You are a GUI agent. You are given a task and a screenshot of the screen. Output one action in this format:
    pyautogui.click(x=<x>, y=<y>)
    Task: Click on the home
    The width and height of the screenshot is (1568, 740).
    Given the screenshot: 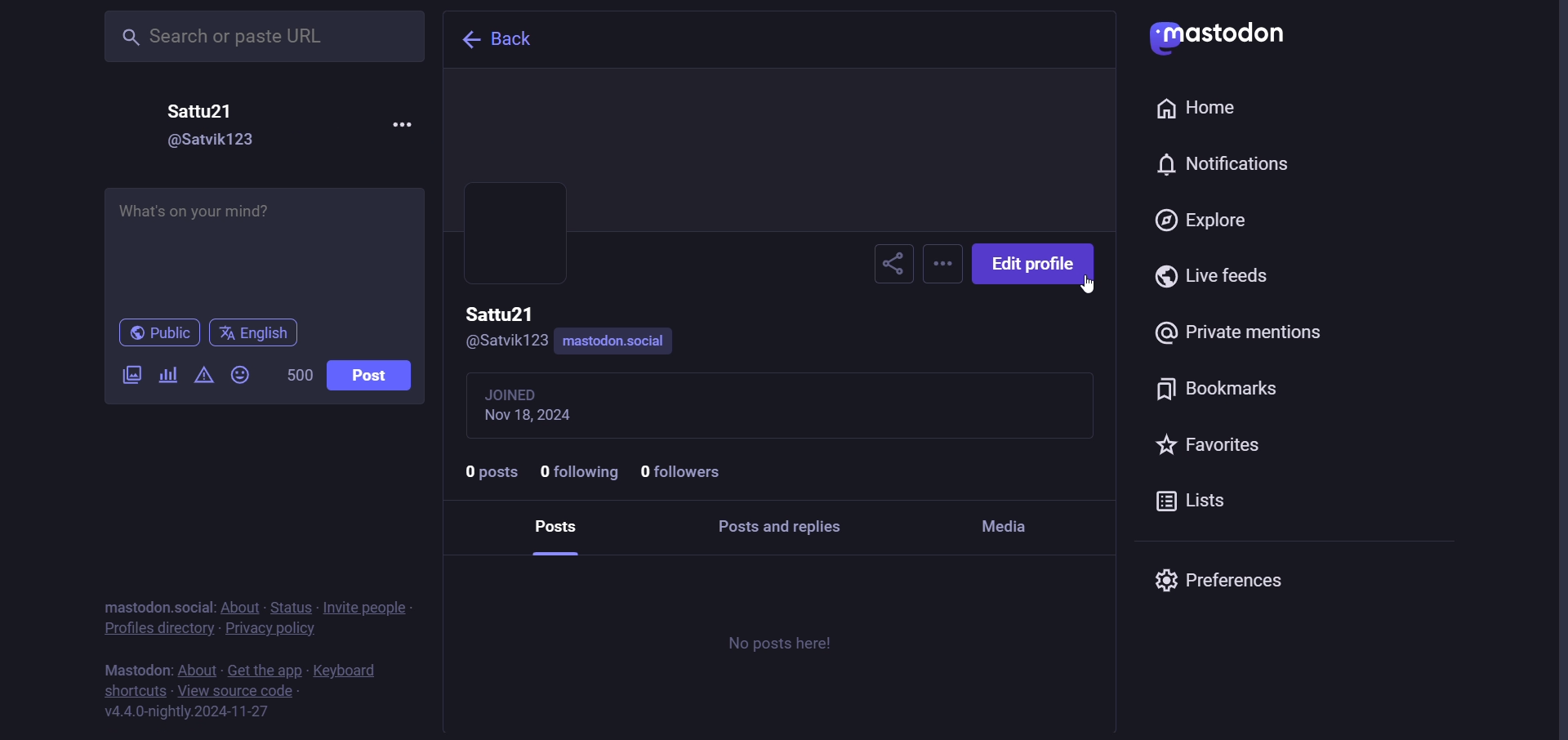 What is the action you would take?
    pyautogui.click(x=1200, y=109)
    